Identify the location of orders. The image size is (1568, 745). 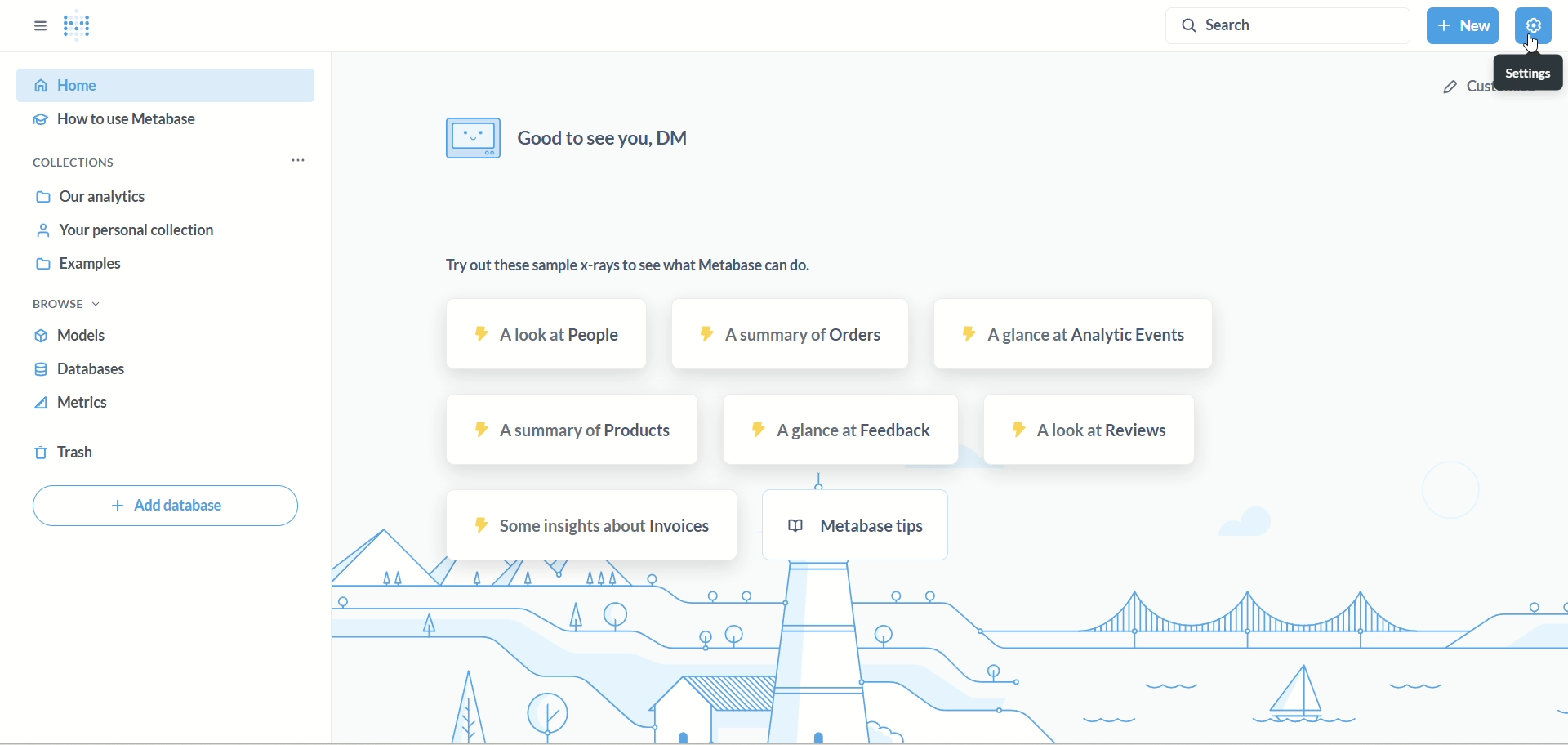
(791, 335).